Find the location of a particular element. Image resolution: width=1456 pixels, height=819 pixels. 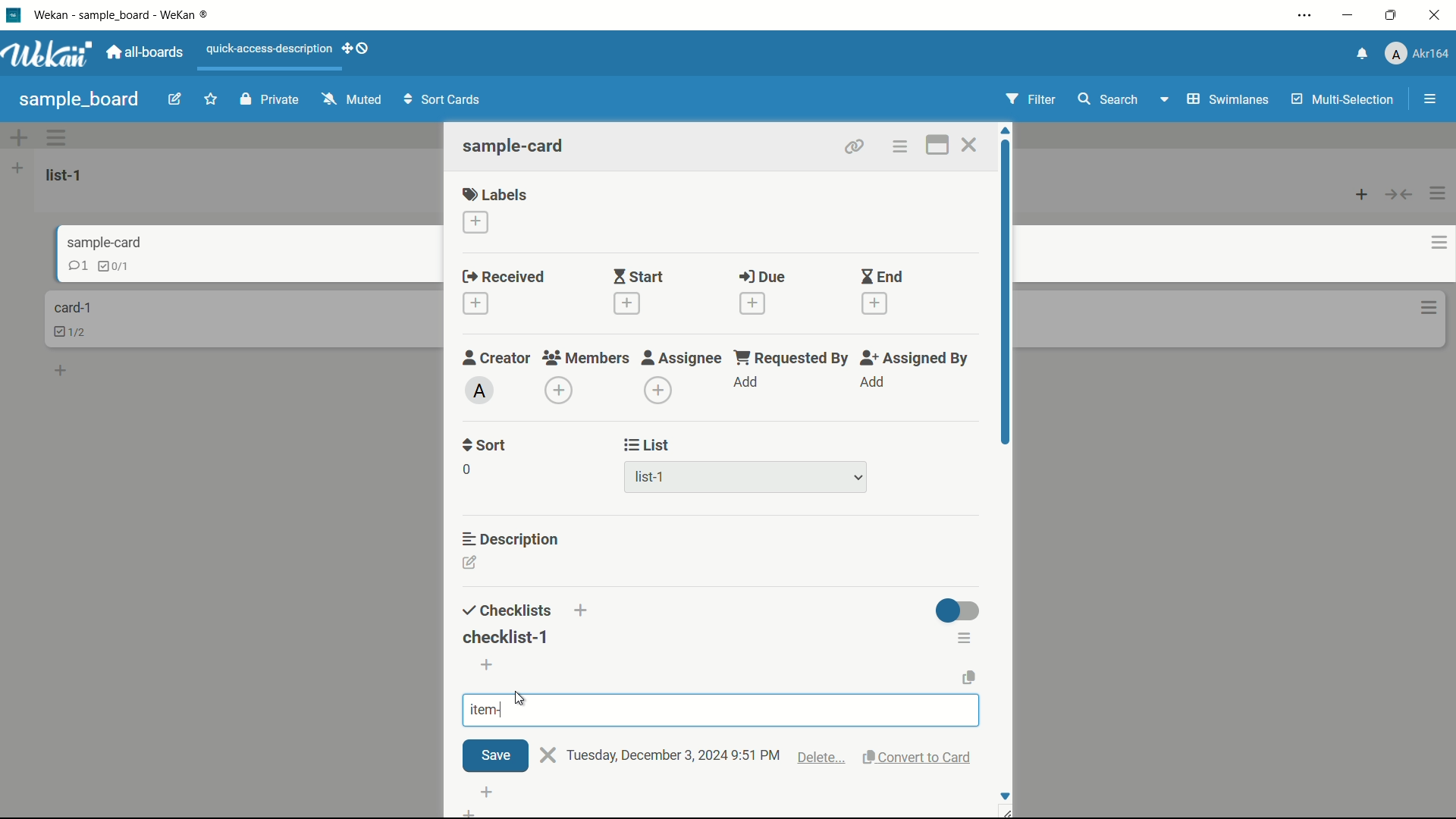

app name is located at coordinates (120, 14).